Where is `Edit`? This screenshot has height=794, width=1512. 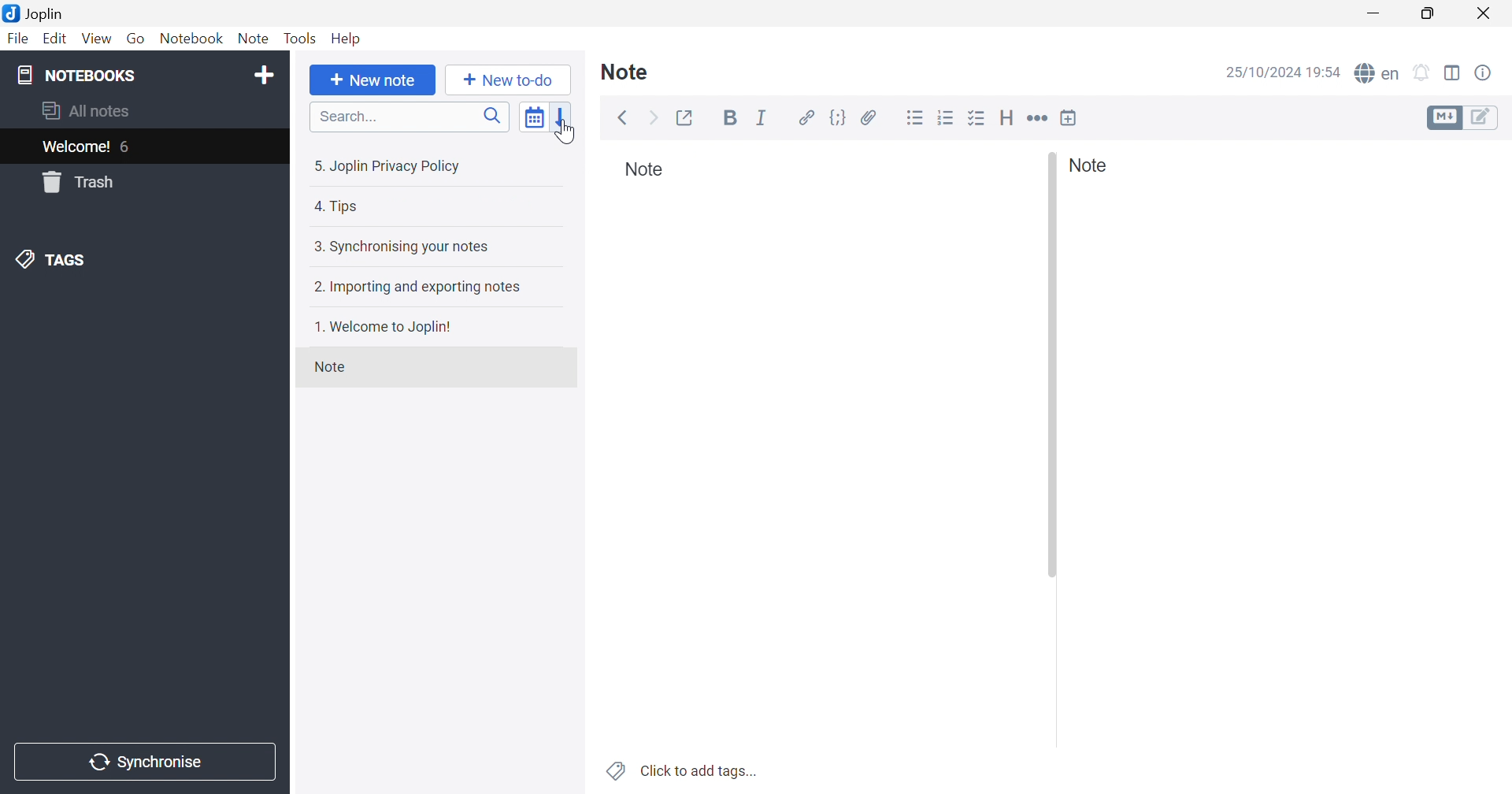 Edit is located at coordinates (55, 39).